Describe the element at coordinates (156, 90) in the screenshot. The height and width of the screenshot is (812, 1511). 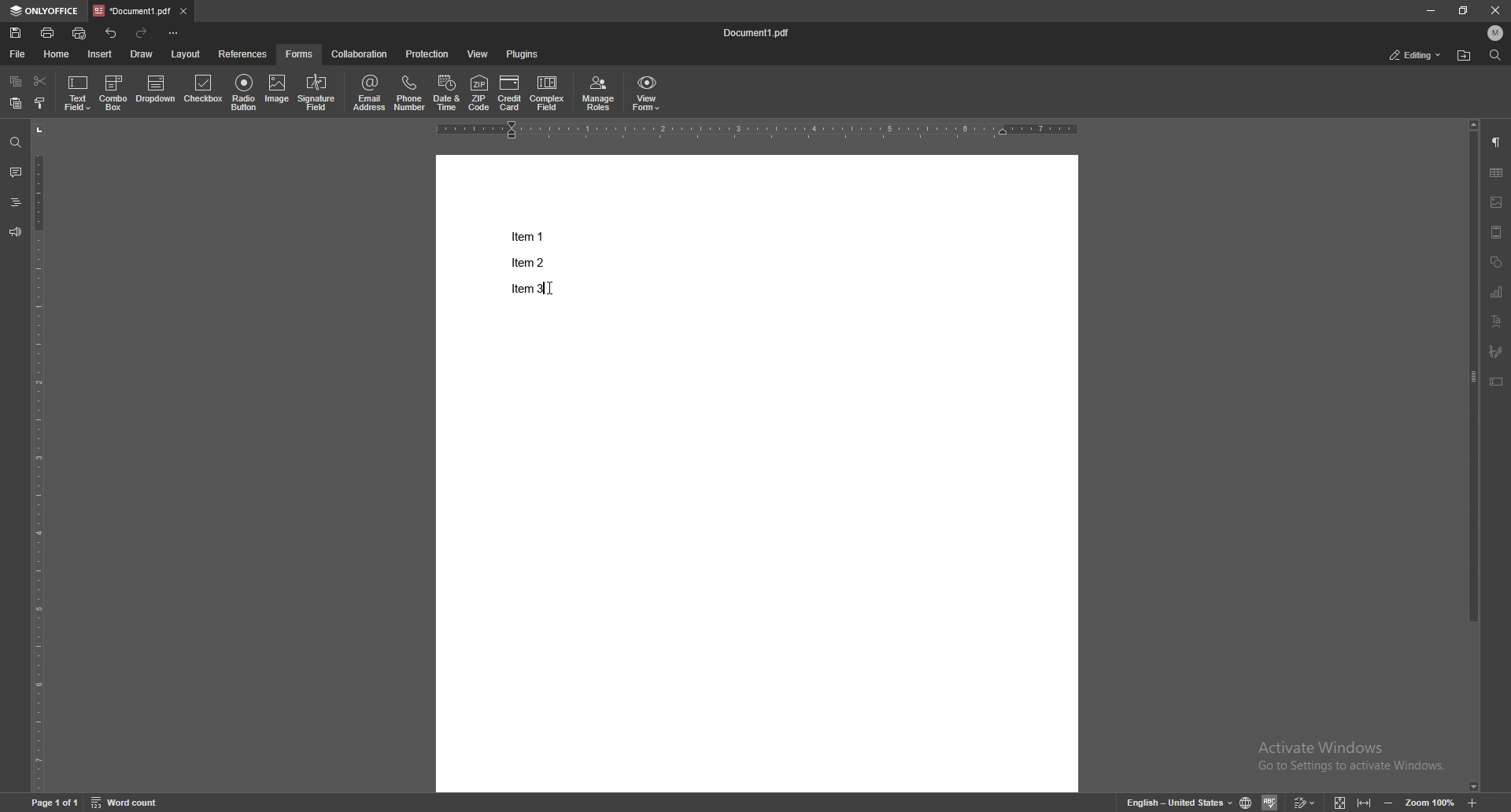
I see `dropdown` at that location.